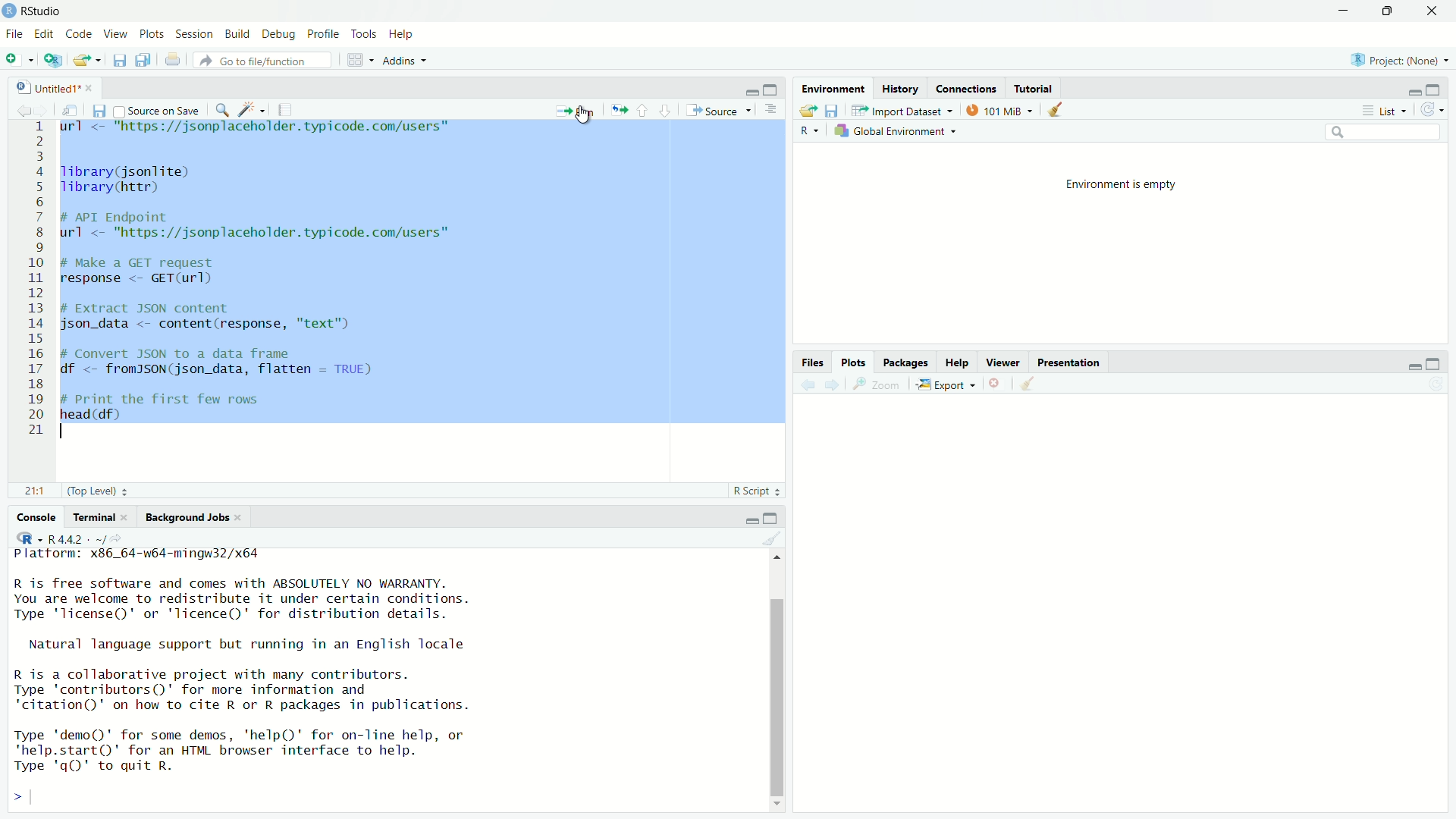 The height and width of the screenshot is (819, 1456). What do you see at coordinates (771, 90) in the screenshot?
I see `Maximize` at bounding box center [771, 90].